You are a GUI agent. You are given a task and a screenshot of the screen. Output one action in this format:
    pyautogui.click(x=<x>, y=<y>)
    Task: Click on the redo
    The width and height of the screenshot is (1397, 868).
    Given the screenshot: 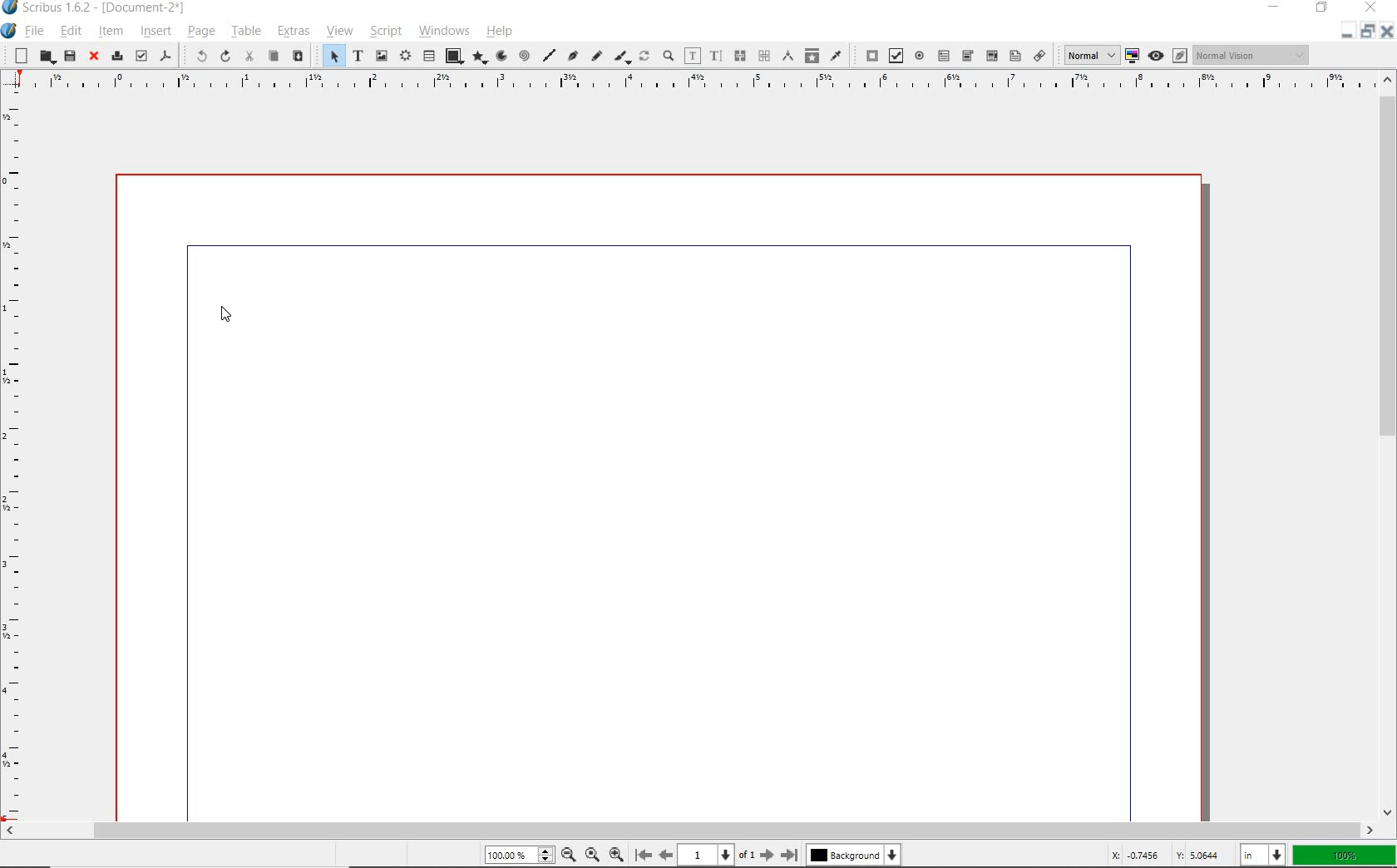 What is the action you would take?
    pyautogui.click(x=225, y=56)
    